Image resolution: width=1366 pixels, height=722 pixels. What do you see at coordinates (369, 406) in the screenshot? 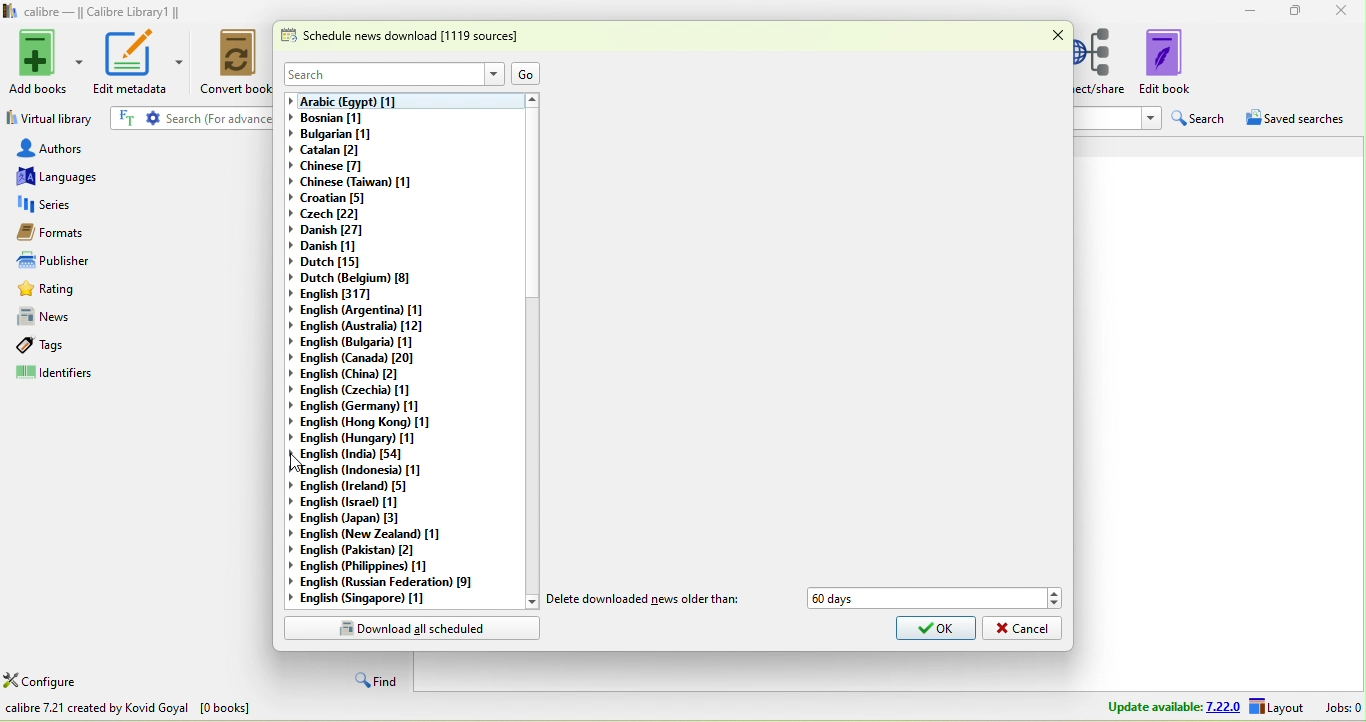
I see `english (germany)[1]` at bounding box center [369, 406].